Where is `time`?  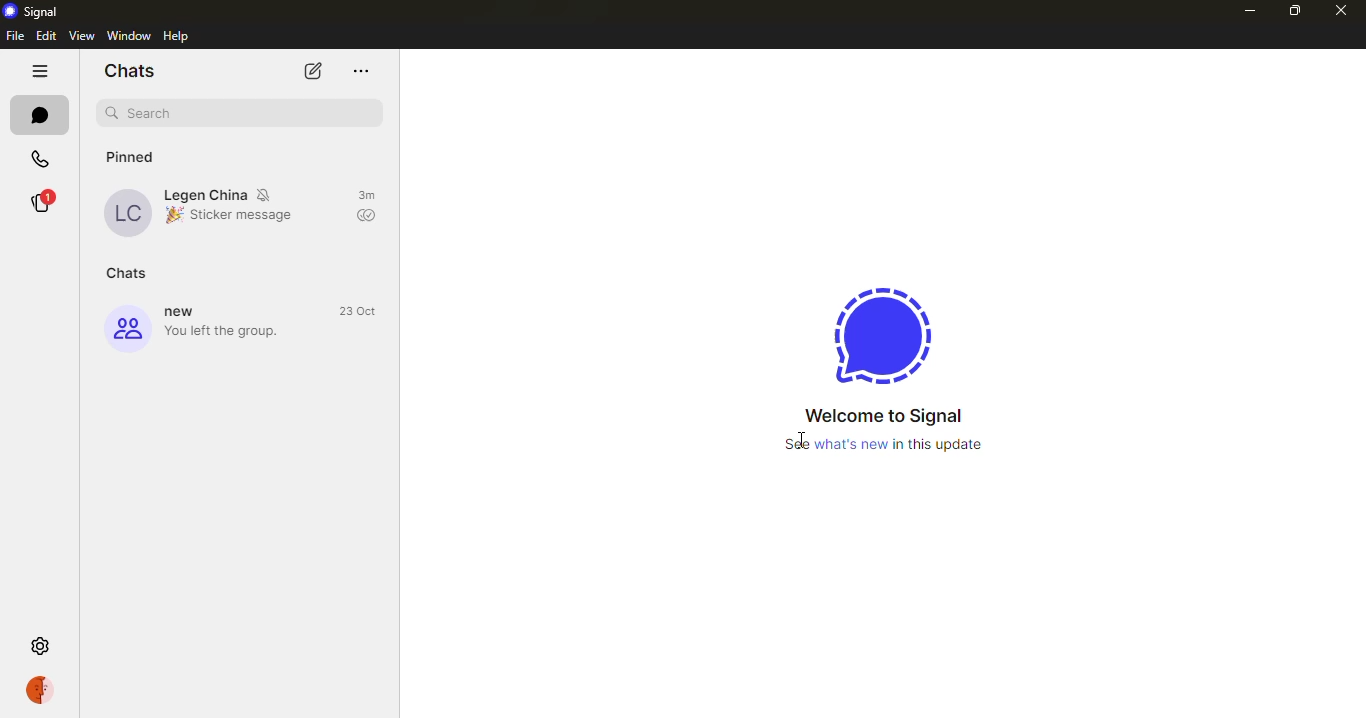 time is located at coordinates (366, 195).